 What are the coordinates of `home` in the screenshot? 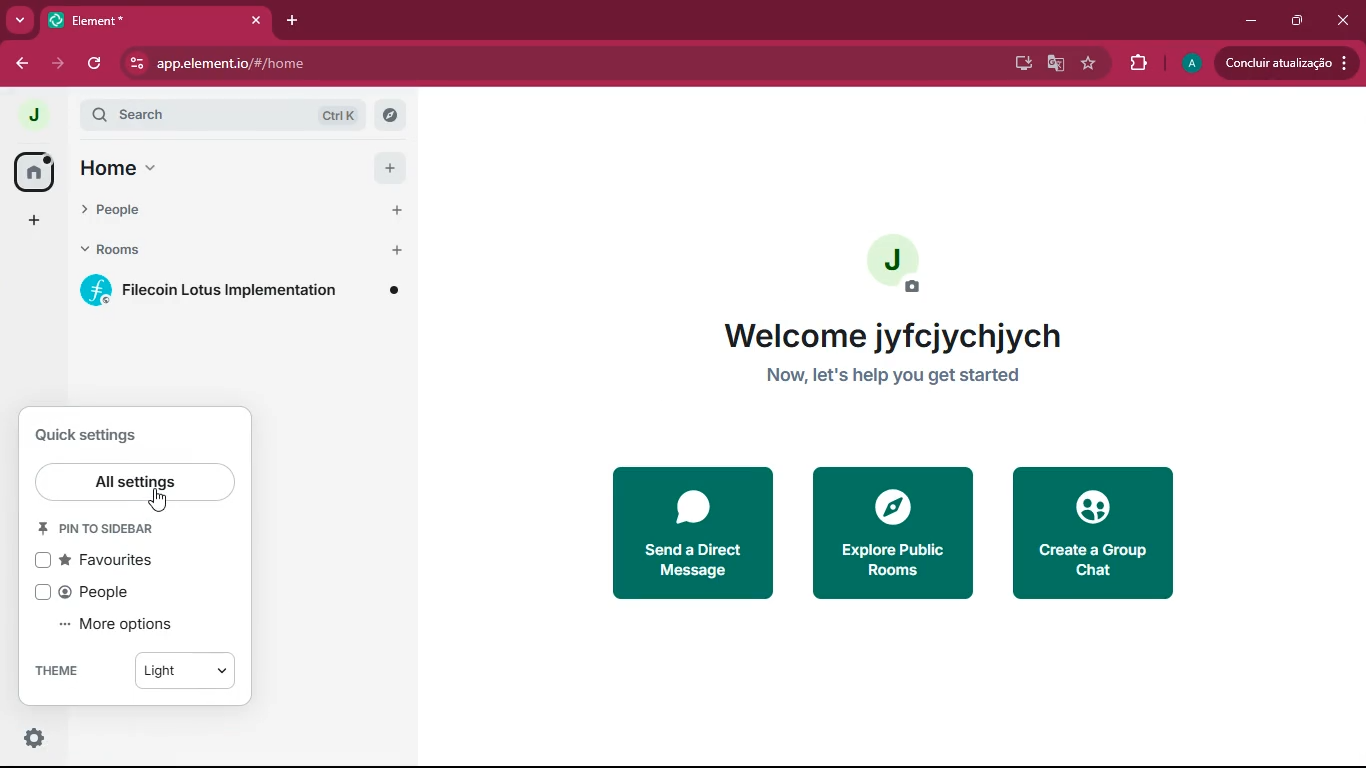 It's located at (203, 168).